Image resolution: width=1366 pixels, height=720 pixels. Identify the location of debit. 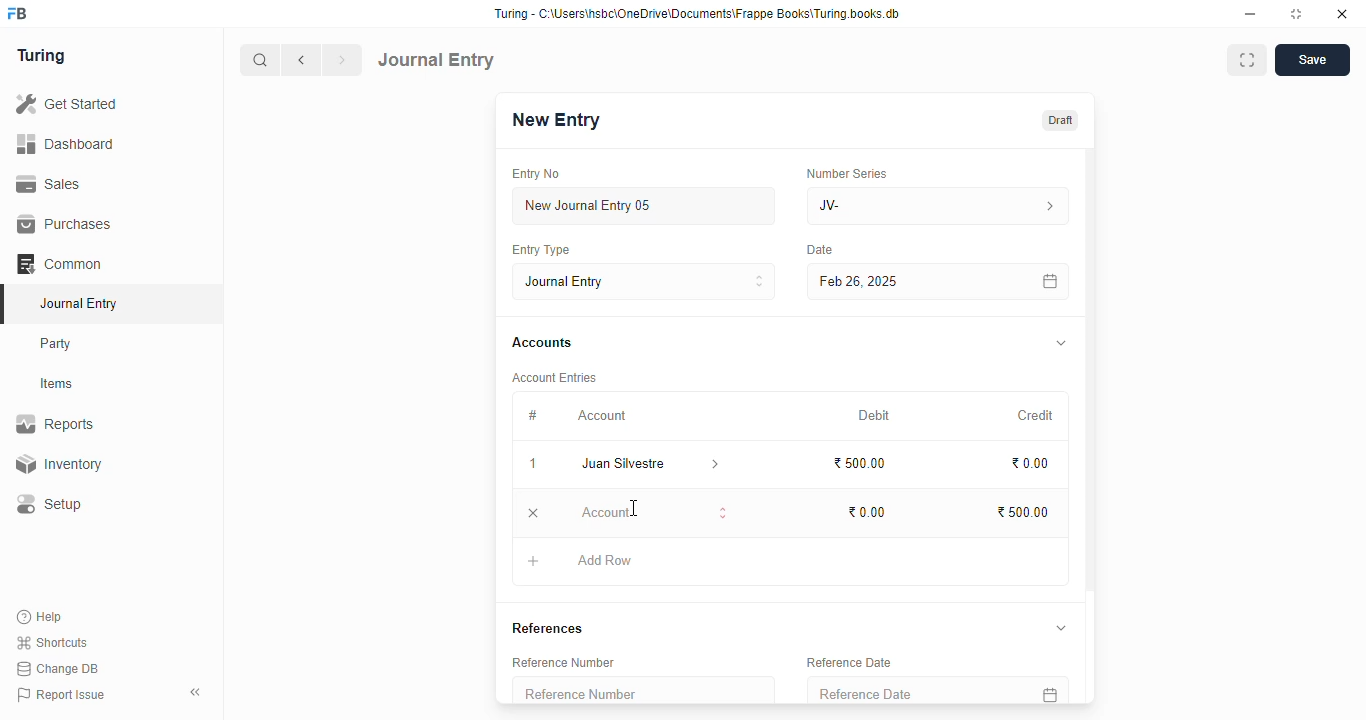
(875, 415).